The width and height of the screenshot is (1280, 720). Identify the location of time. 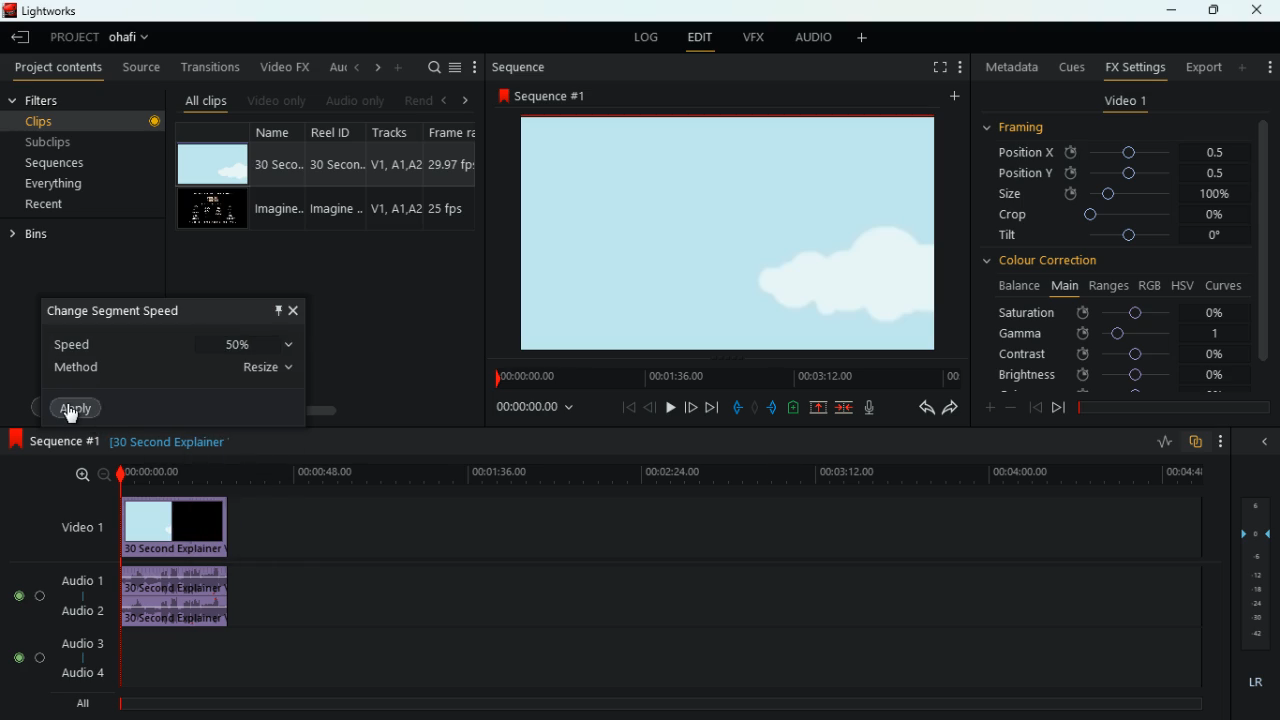
(167, 442).